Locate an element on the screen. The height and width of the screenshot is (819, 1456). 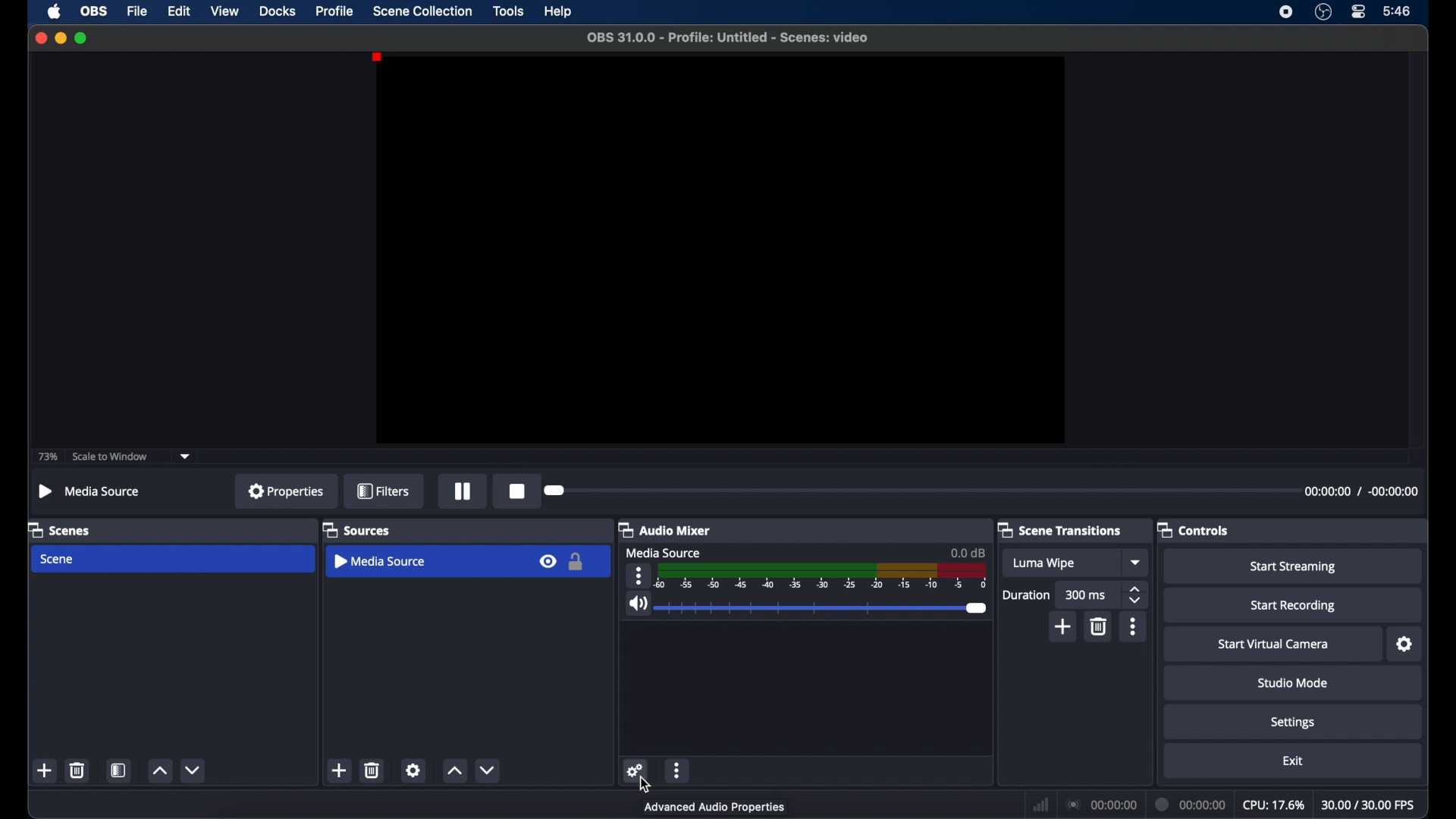
edit is located at coordinates (178, 11).